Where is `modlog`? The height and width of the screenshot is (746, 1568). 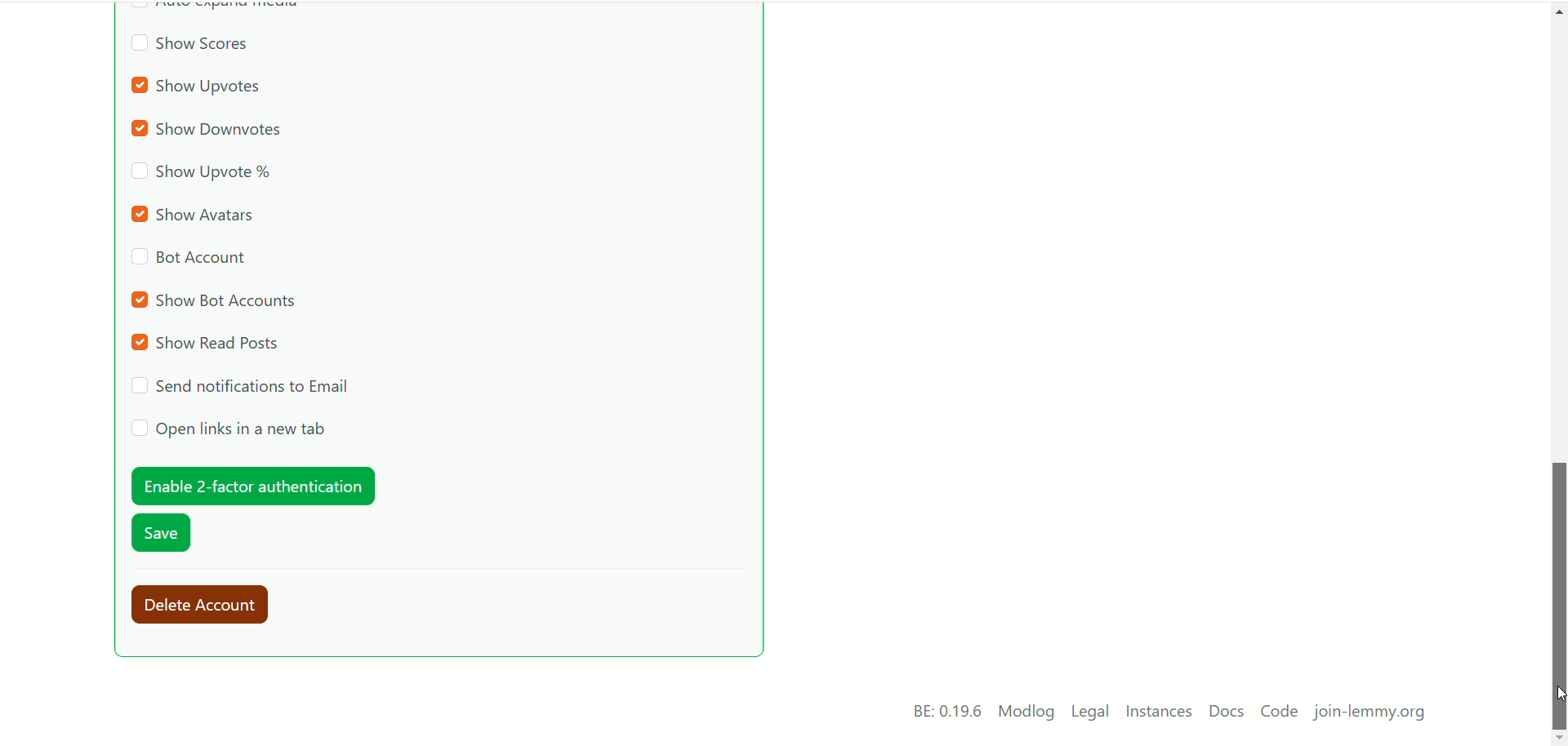 modlog is located at coordinates (1027, 713).